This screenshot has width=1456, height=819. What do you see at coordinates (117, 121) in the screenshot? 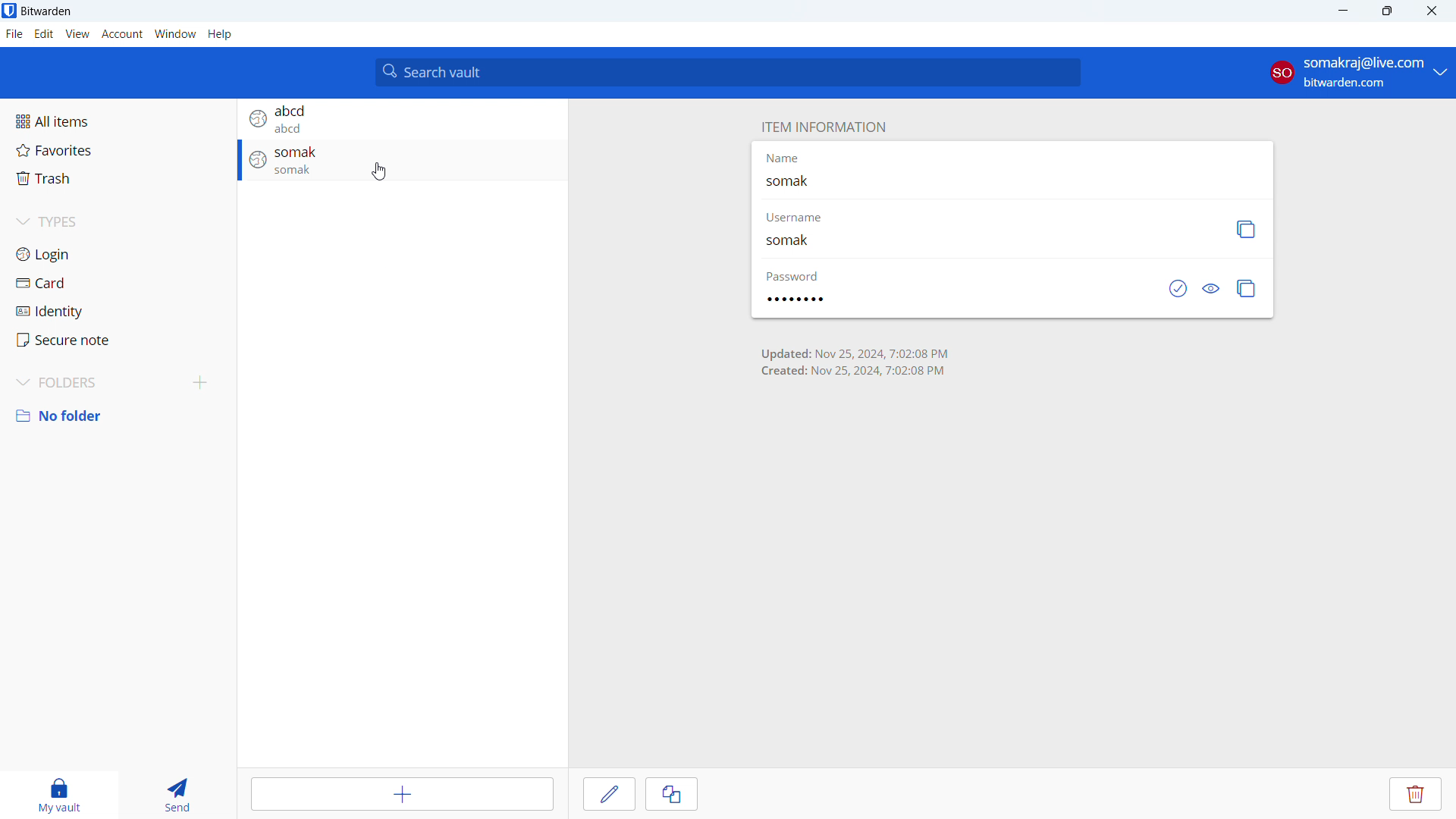
I see `all items` at bounding box center [117, 121].